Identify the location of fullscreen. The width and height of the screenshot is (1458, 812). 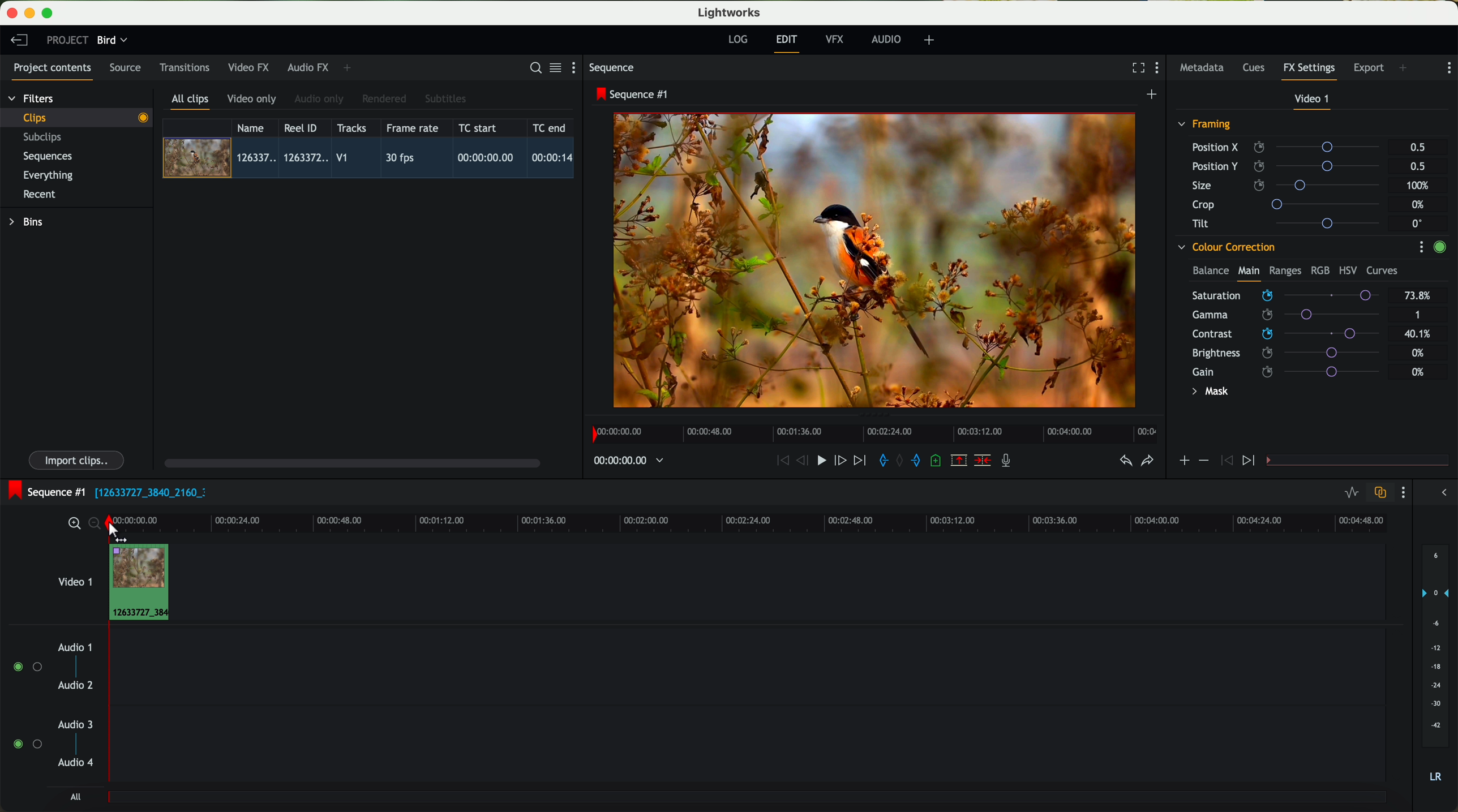
(1136, 67).